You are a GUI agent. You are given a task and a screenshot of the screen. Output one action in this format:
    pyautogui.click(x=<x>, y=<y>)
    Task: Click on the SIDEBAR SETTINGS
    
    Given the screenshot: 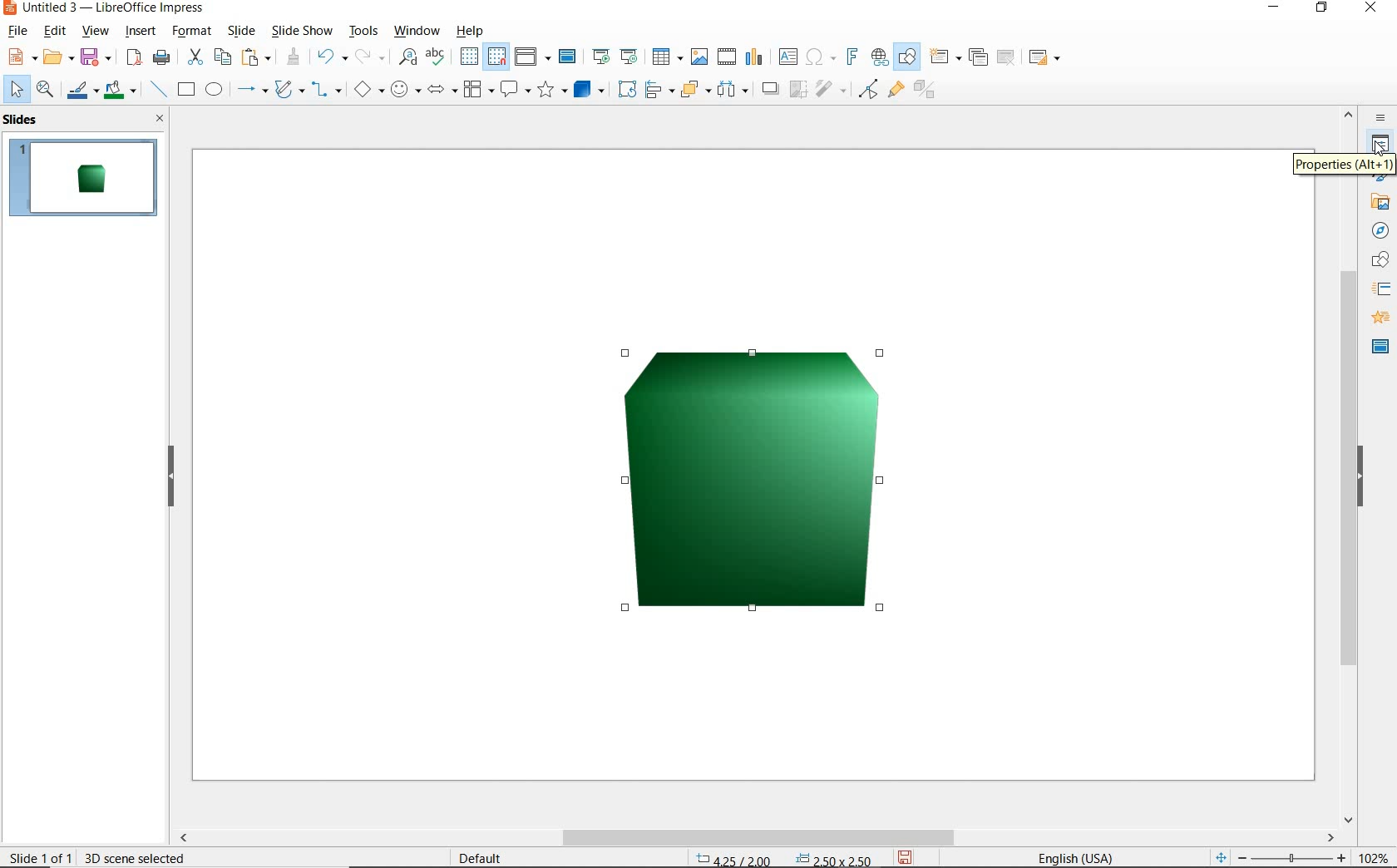 What is the action you would take?
    pyautogui.click(x=1380, y=118)
    